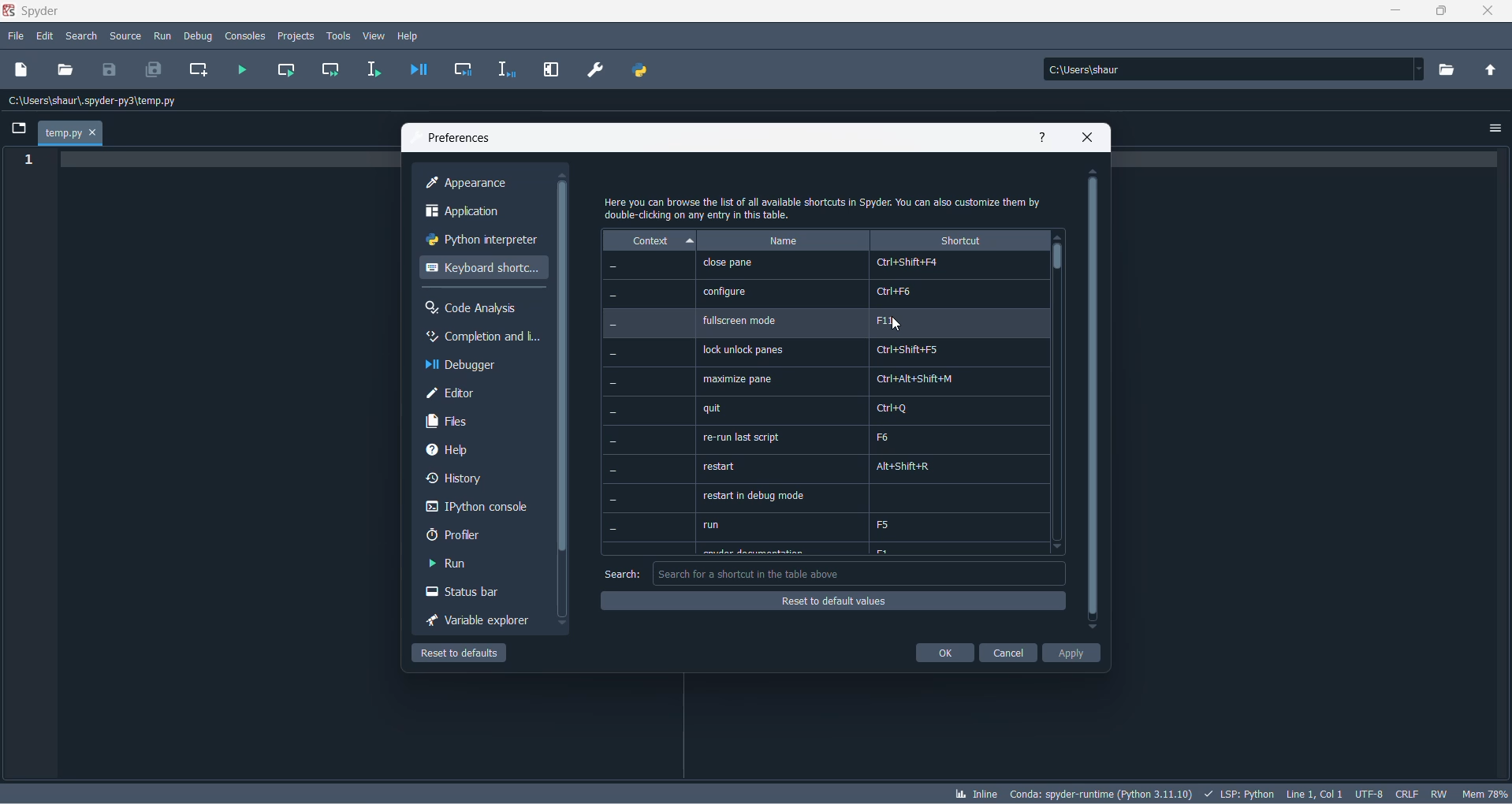 This screenshot has height=804, width=1512. What do you see at coordinates (612, 383) in the screenshot?
I see `-` at bounding box center [612, 383].